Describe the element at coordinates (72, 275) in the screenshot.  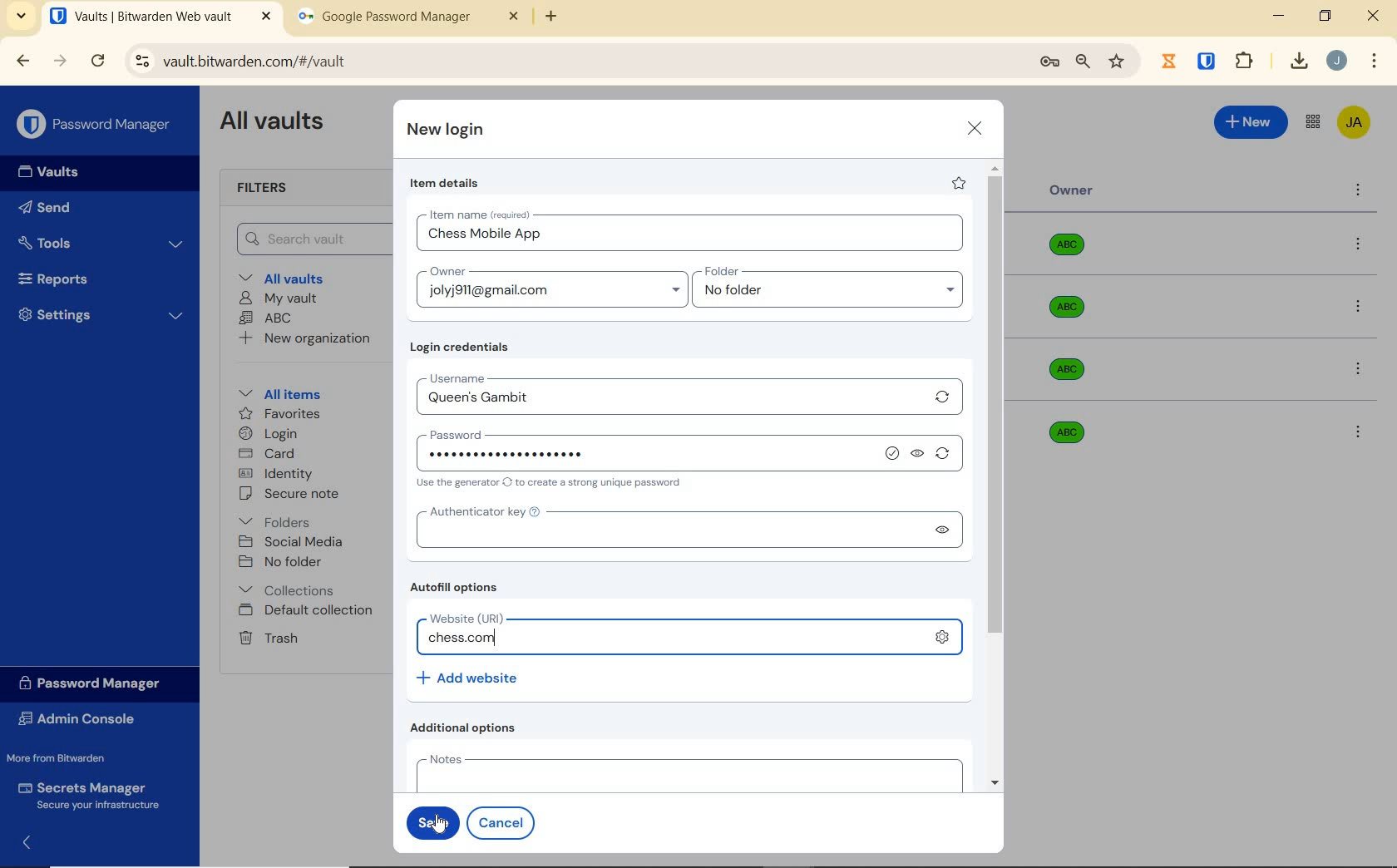
I see `Reports` at that location.